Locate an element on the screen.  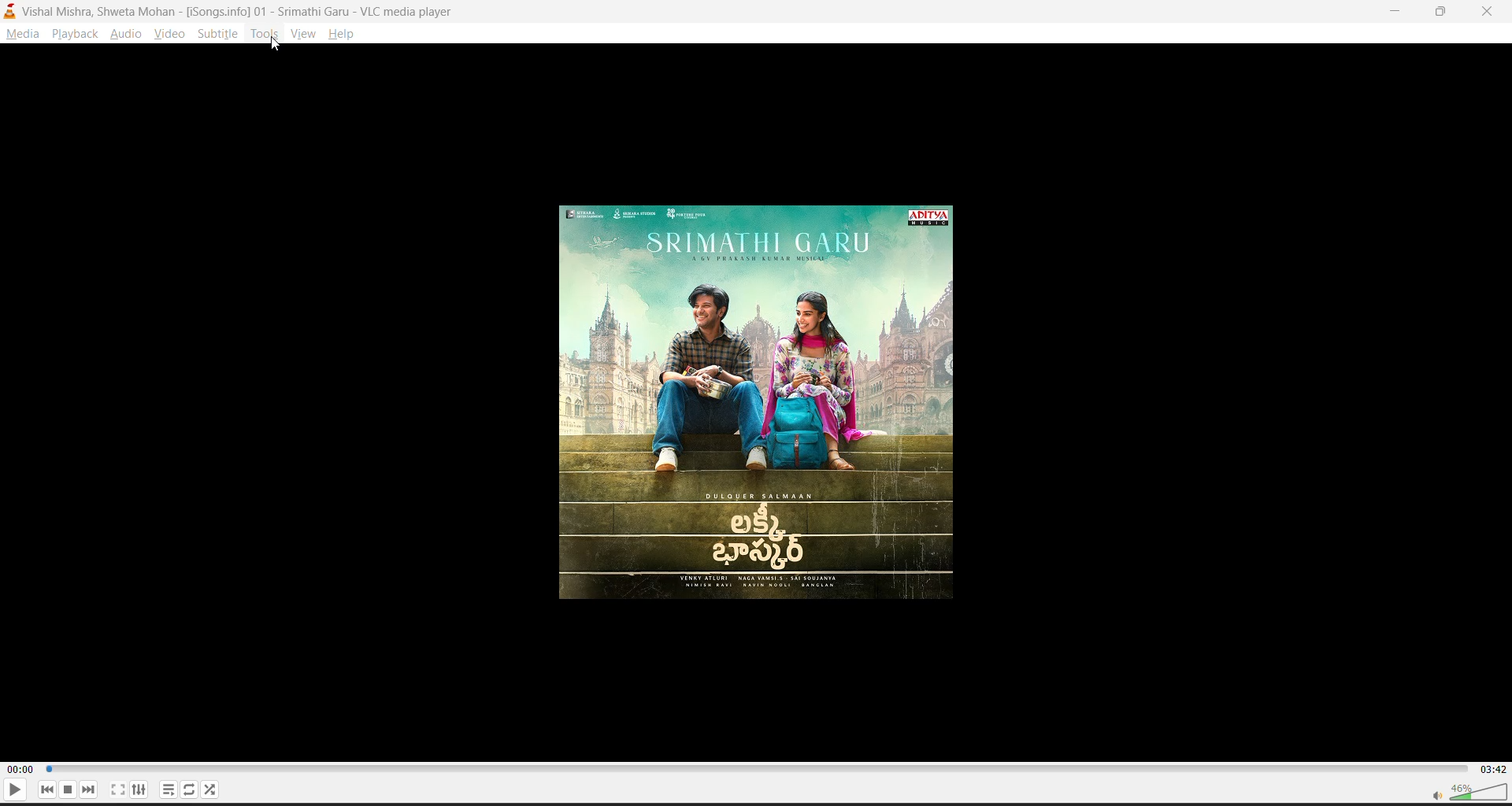
settings is located at coordinates (137, 790).